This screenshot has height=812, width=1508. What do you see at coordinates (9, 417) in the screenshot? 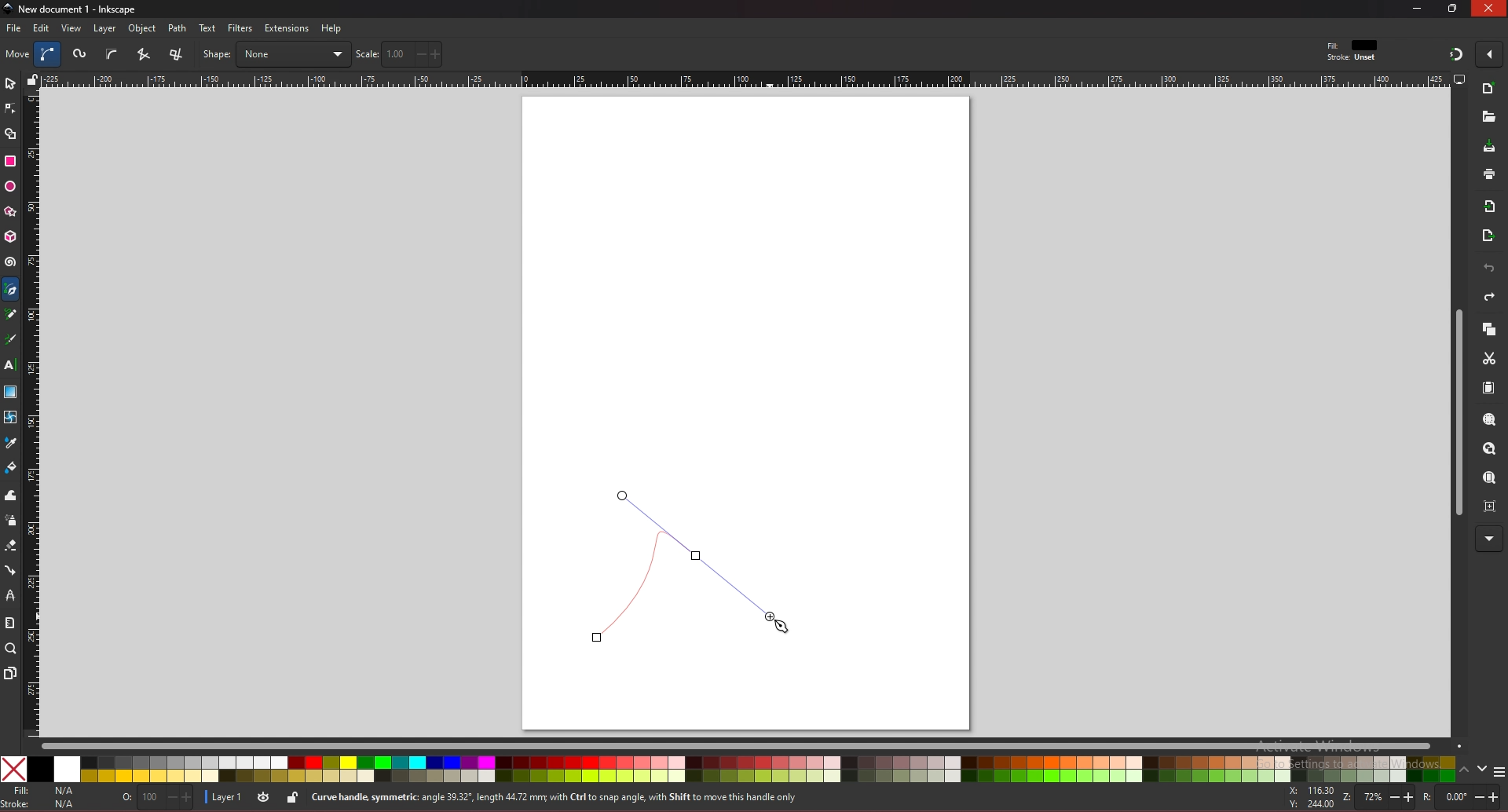
I see `mesh` at bounding box center [9, 417].